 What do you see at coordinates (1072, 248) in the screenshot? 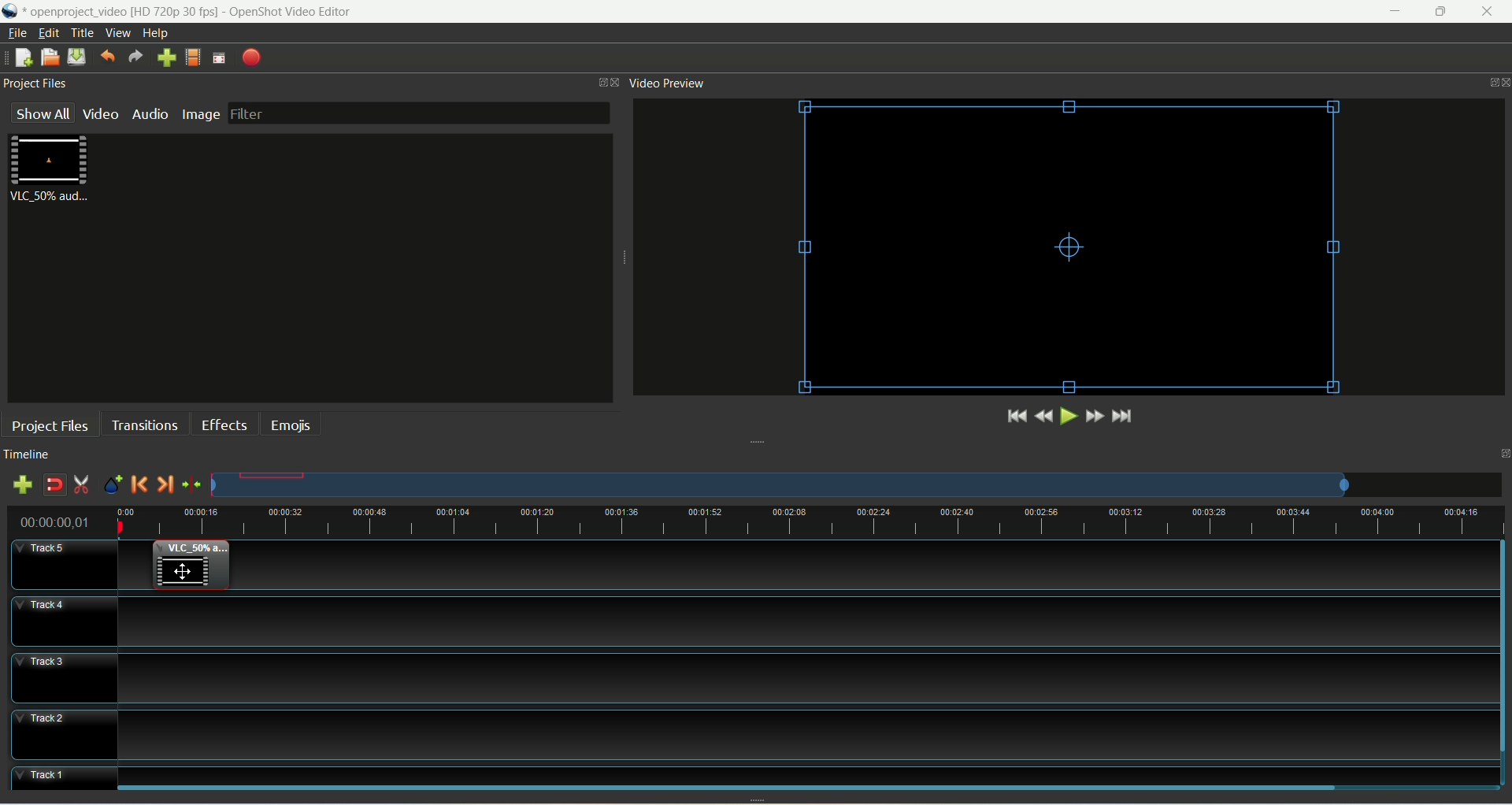
I see `video clip` at bounding box center [1072, 248].